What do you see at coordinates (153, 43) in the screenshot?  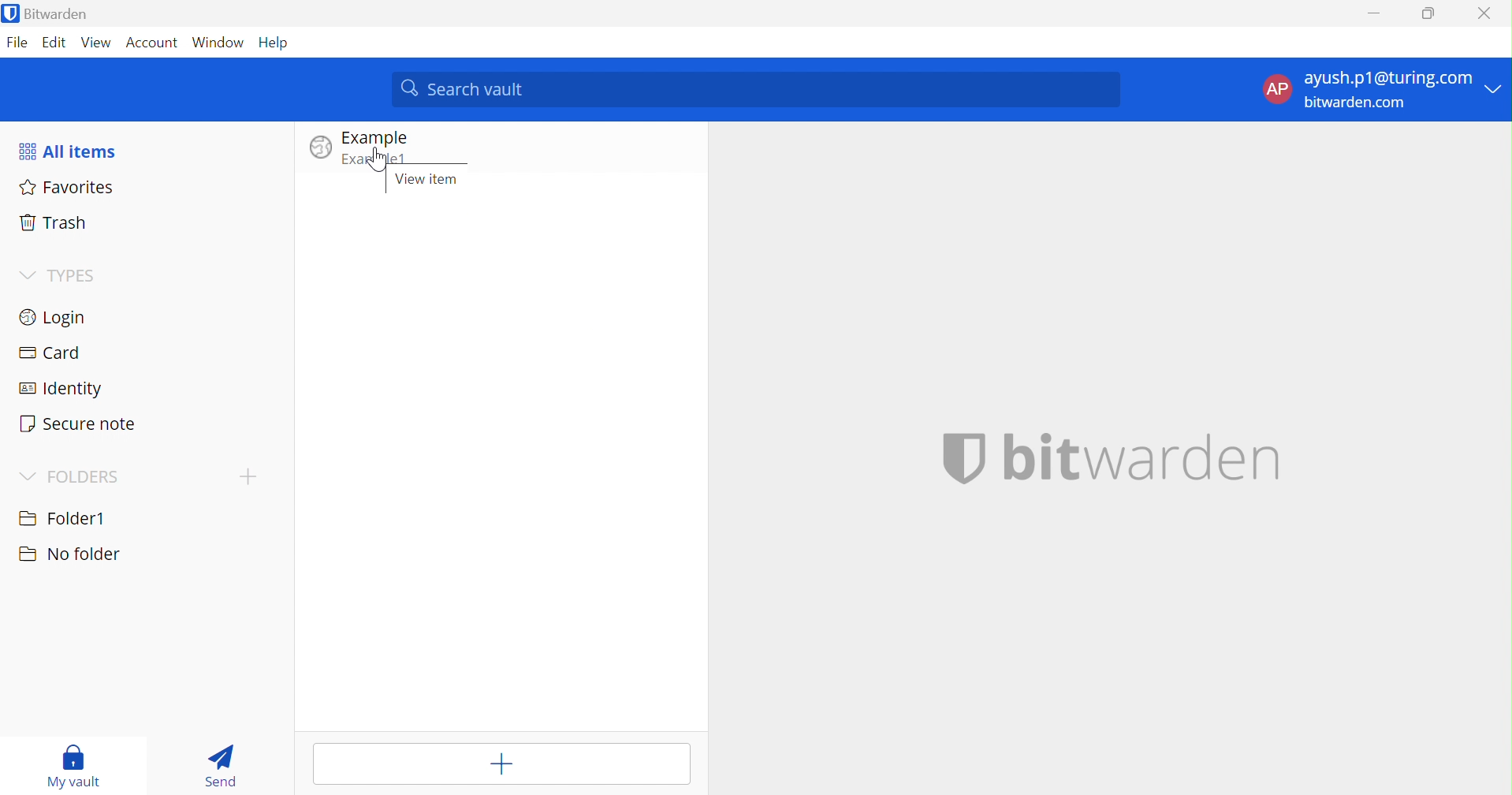 I see `Account` at bounding box center [153, 43].